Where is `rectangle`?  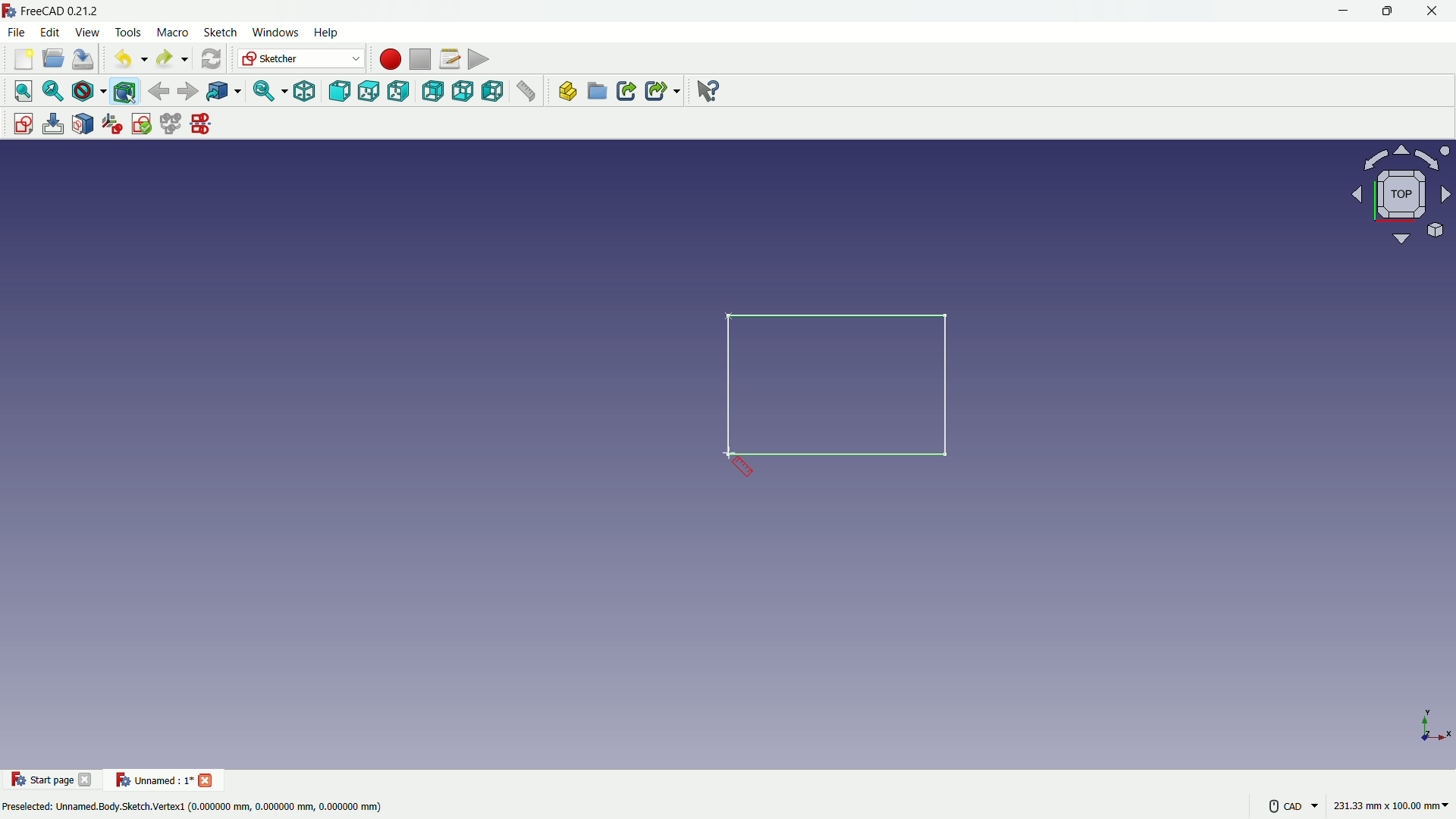 rectangle is located at coordinates (843, 388).